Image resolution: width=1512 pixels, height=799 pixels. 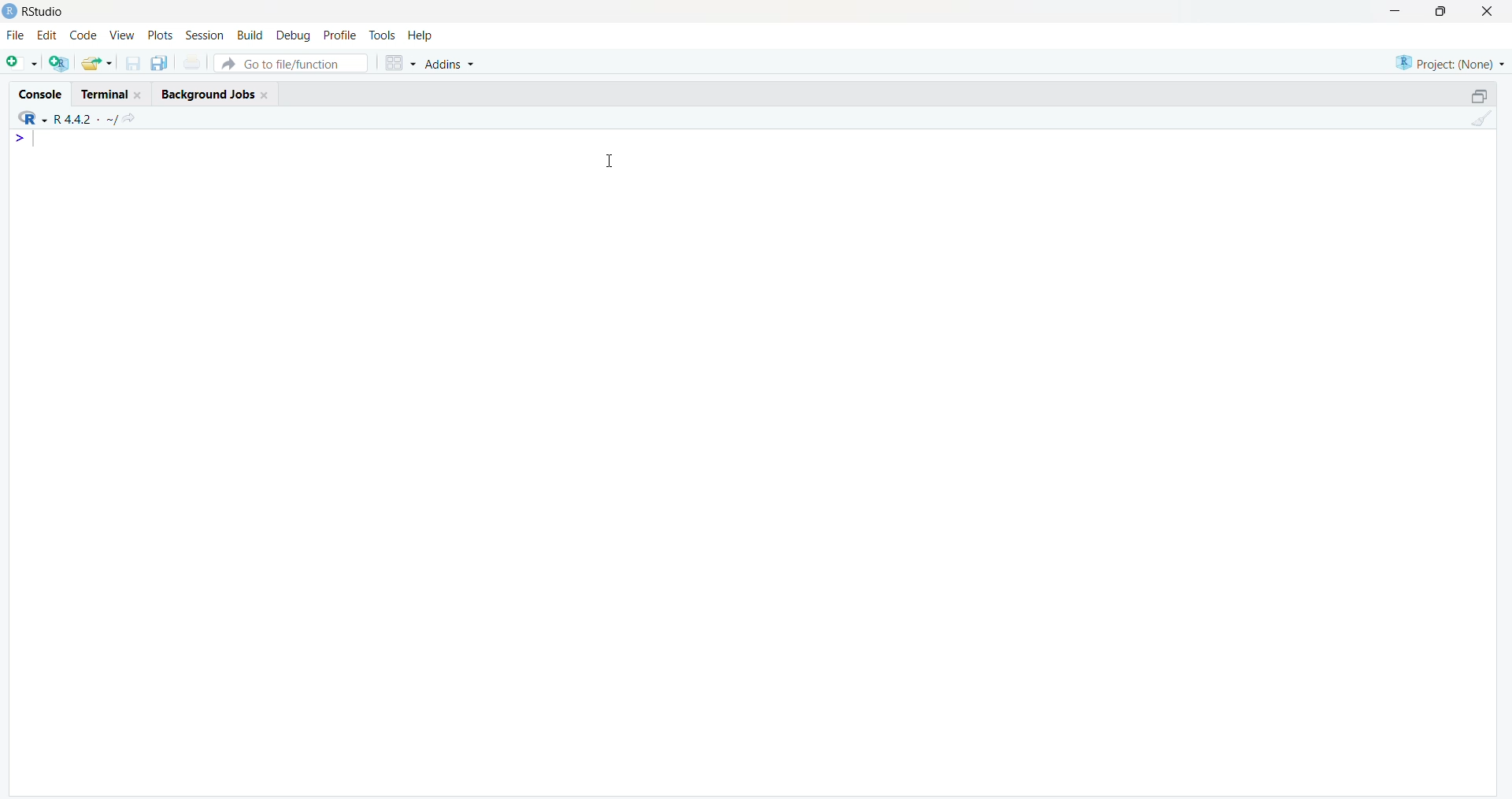 What do you see at coordinates (384, 36) in the screenshot?
I see `tools` at bounding box center [384, 36].